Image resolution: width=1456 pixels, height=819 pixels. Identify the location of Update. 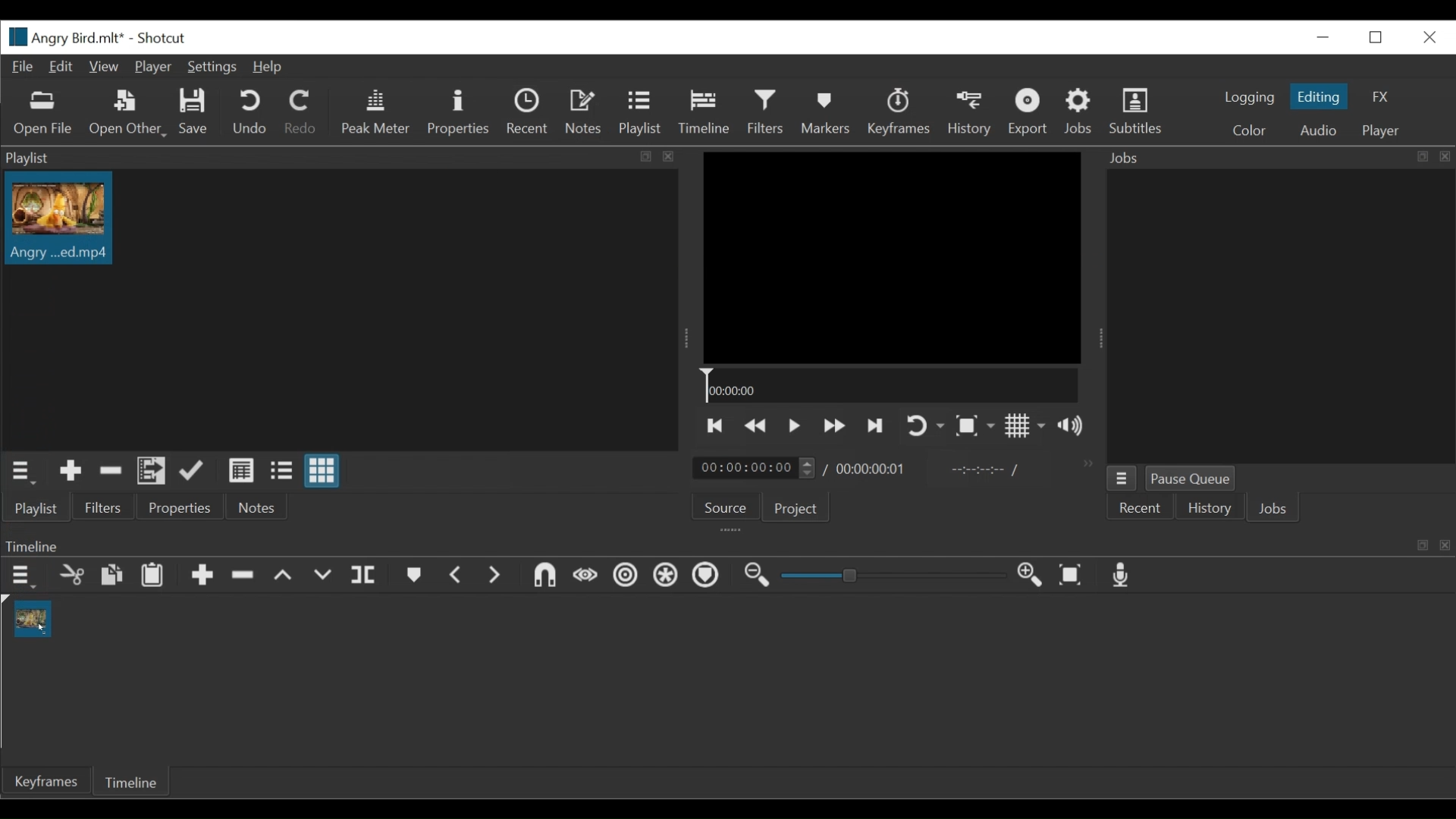
(193, 471).